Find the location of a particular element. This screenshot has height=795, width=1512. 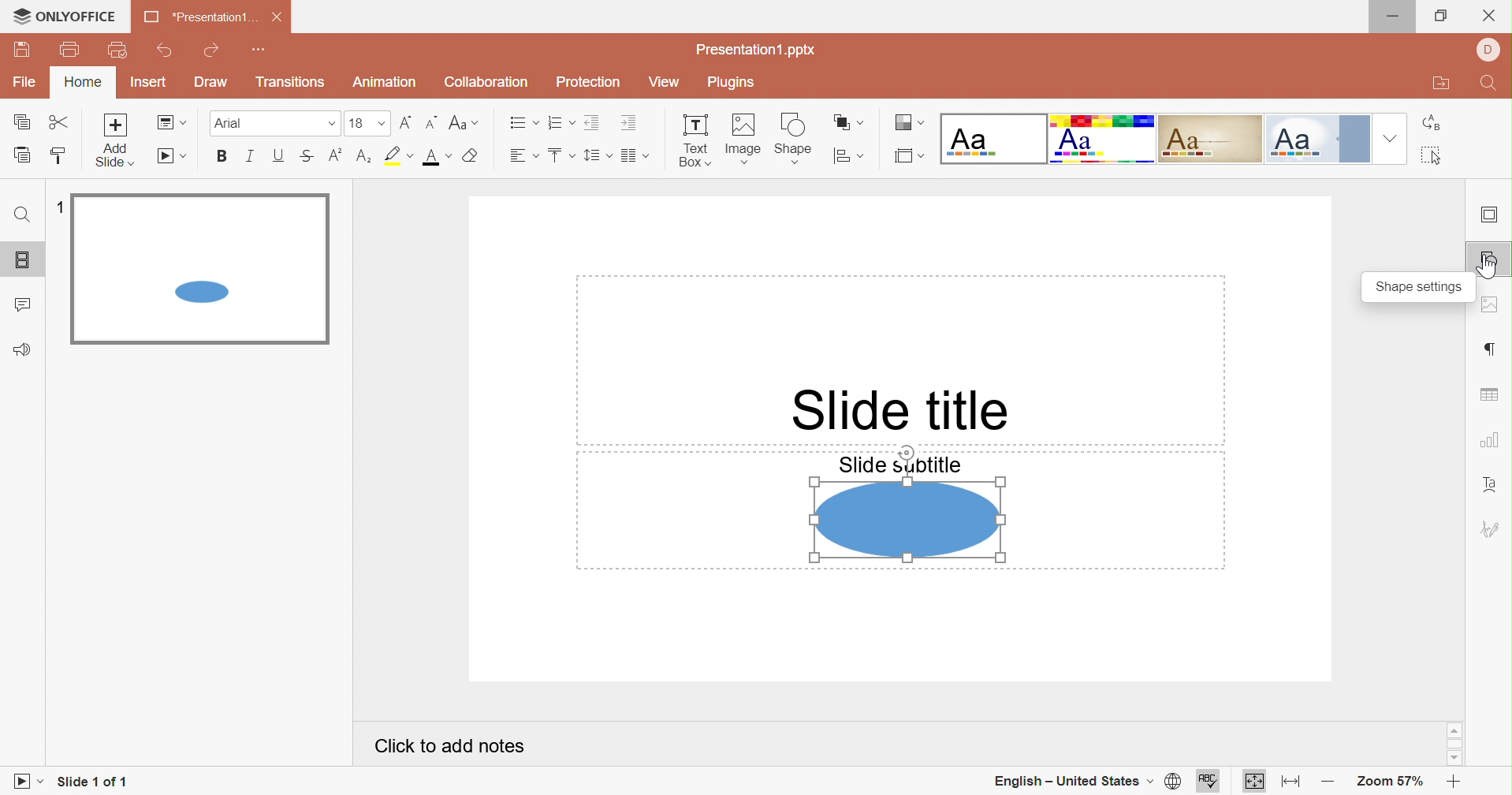

Bullets is located at coordinates (522, 123).